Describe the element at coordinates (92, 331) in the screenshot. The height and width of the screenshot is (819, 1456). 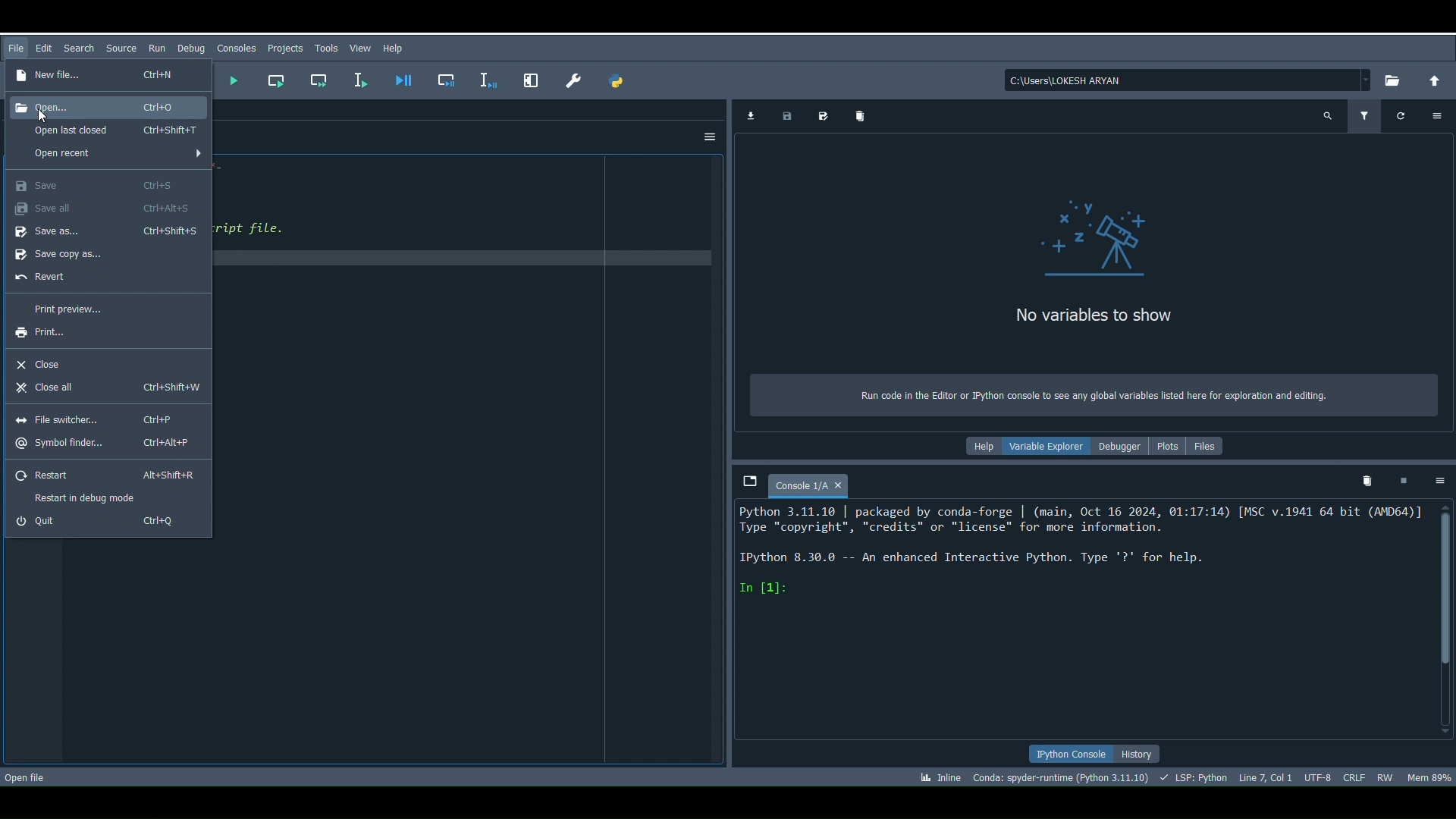
I see `Print` at that location.